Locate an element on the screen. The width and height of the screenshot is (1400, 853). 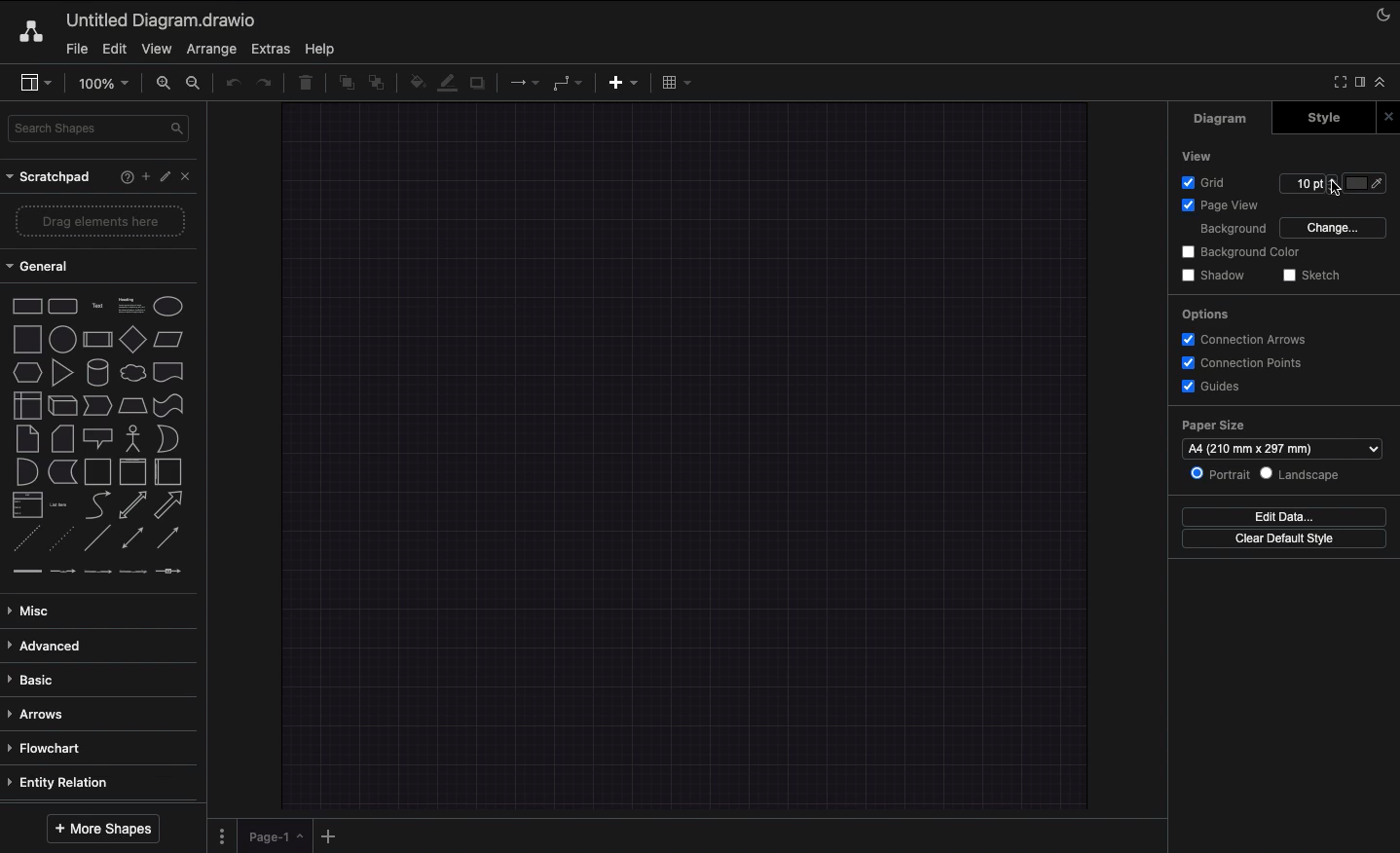
Table is located at coordinates (678, 82).